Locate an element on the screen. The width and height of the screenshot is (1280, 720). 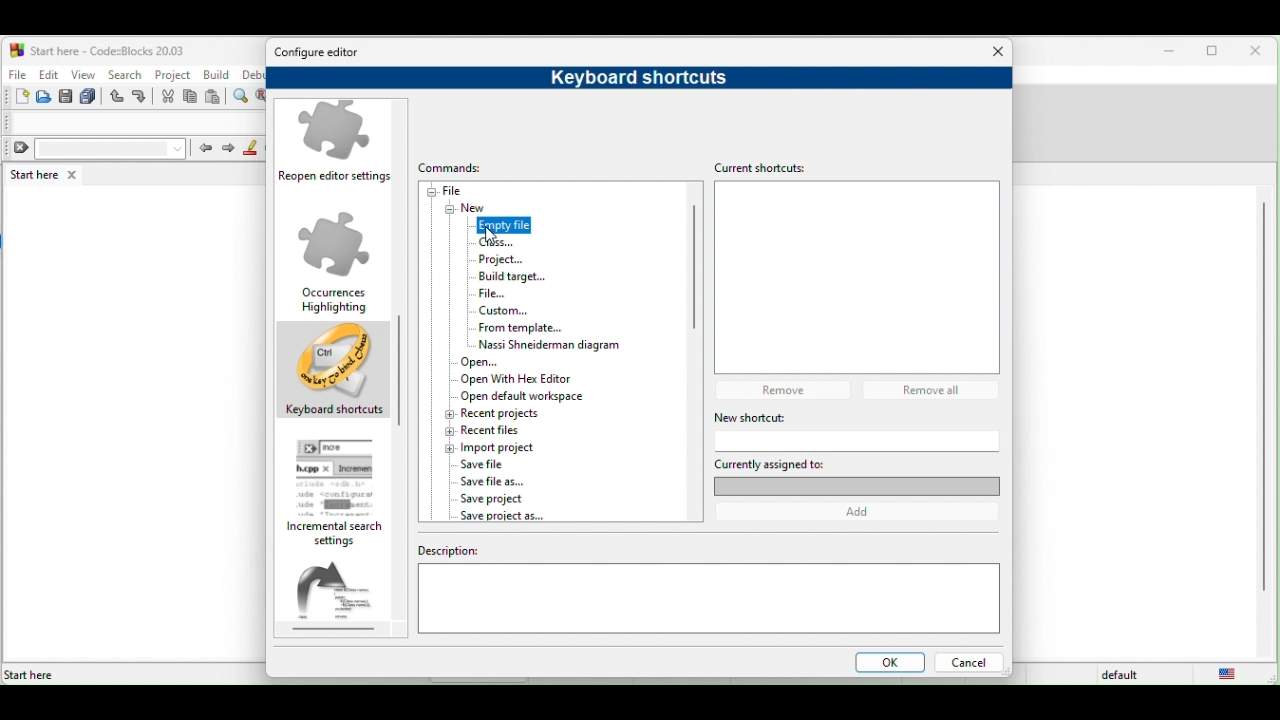
currently assigned to is located at coordinates (856, 475).